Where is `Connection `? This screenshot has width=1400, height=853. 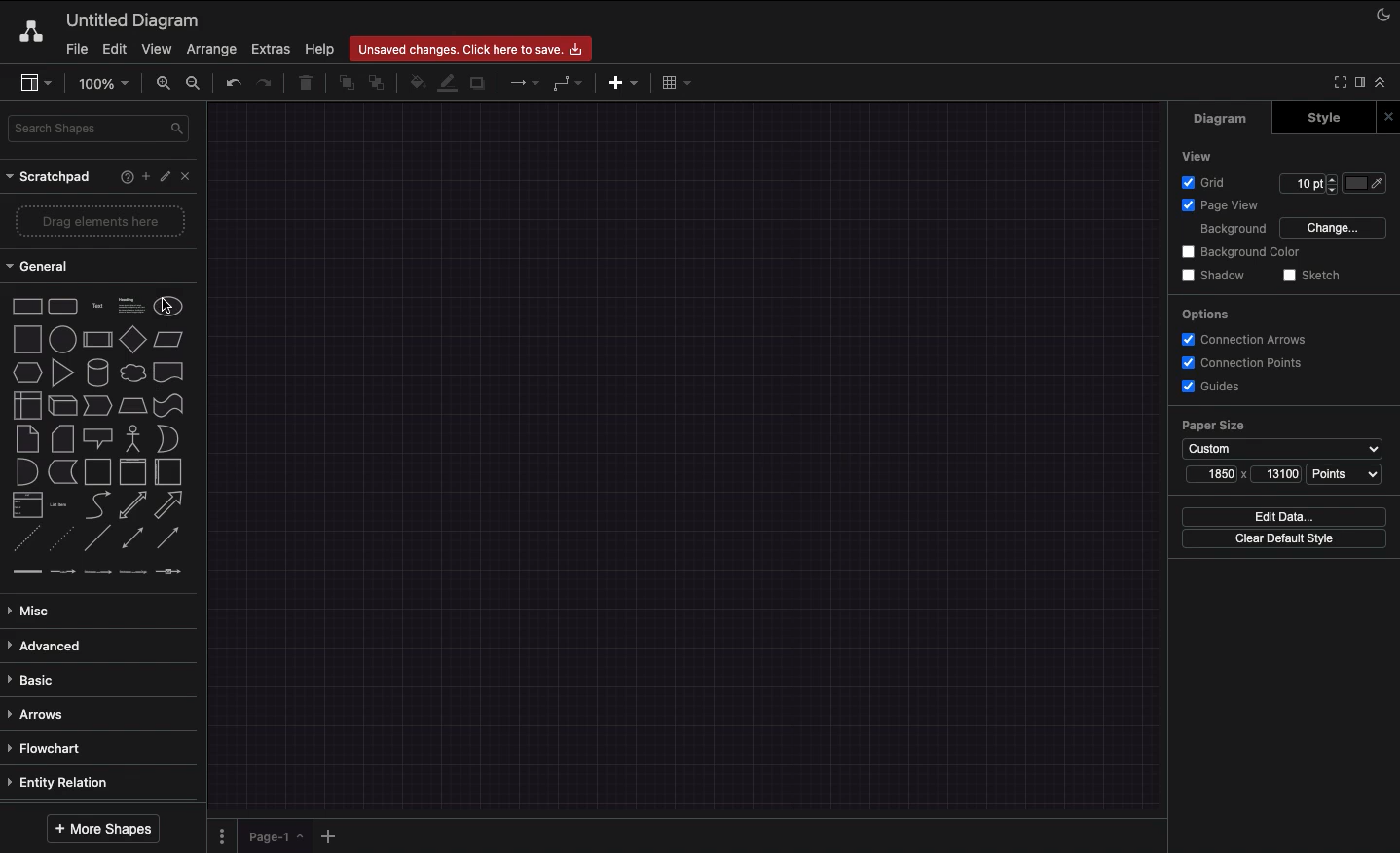
Connection  is located at coordinates (525, 83).